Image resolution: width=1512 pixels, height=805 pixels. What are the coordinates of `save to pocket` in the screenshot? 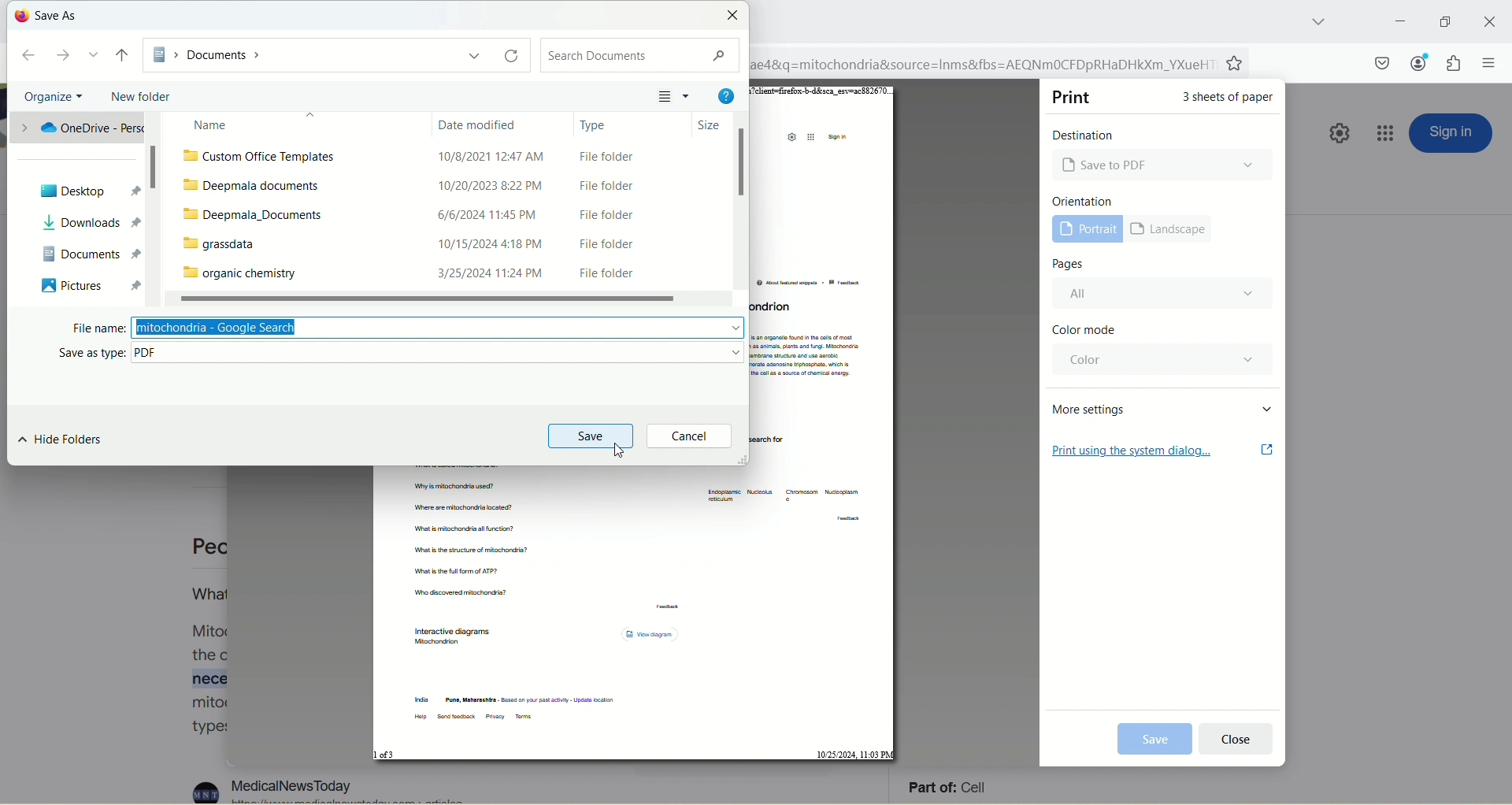 It's located at (1381, 63).